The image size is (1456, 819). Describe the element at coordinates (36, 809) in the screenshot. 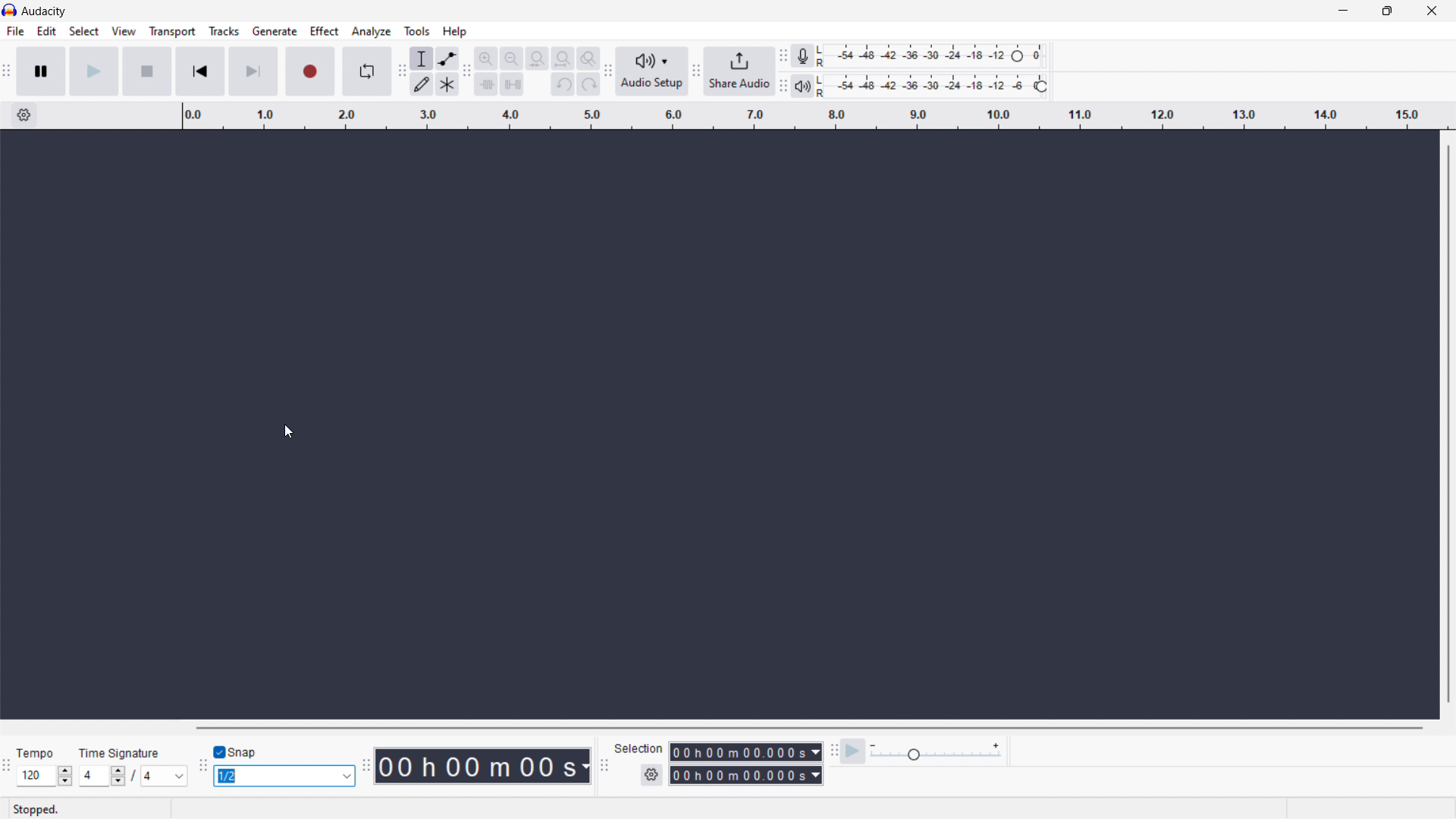

I see `Stopped` at that location.